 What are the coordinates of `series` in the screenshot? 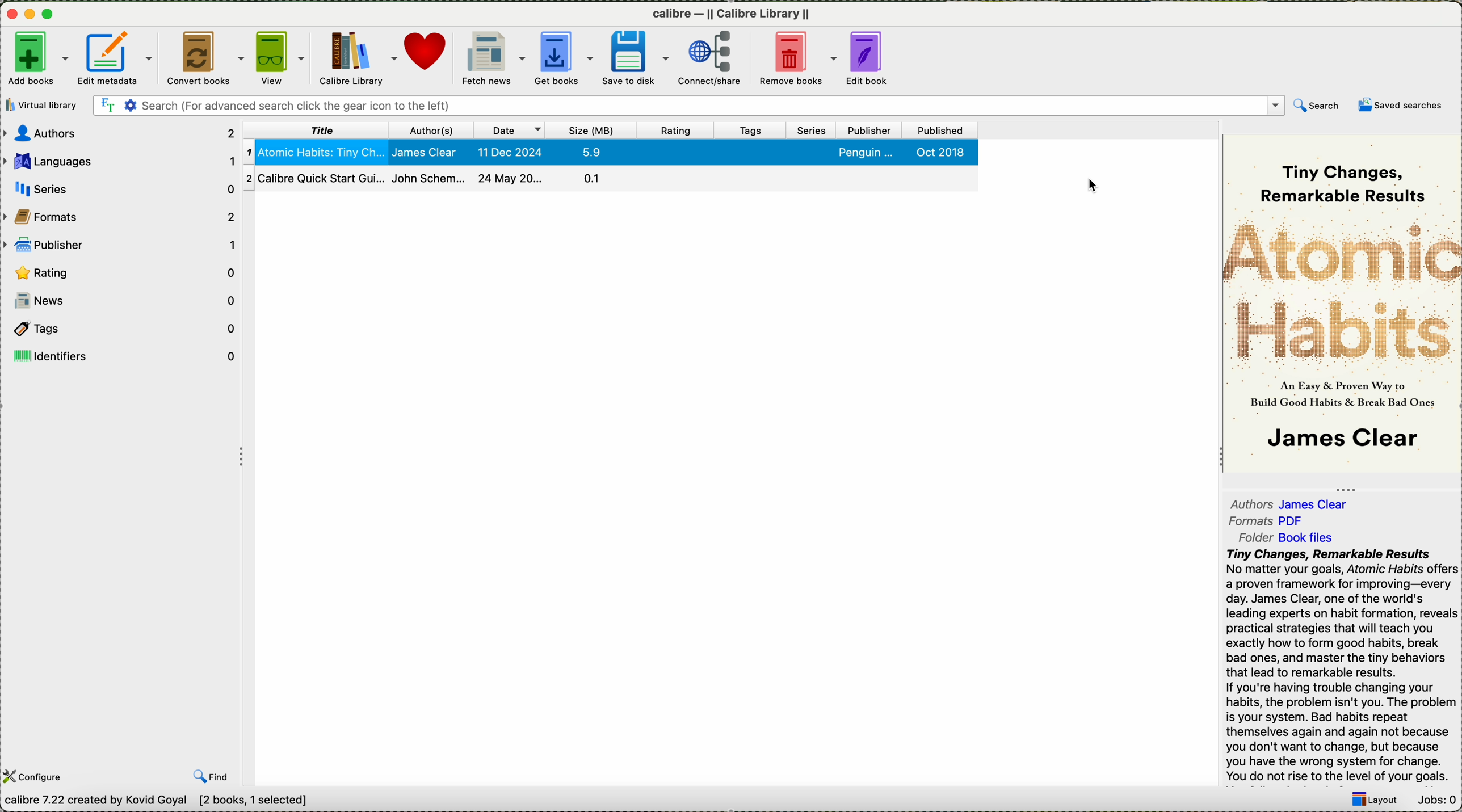 It's located at (812, 131).